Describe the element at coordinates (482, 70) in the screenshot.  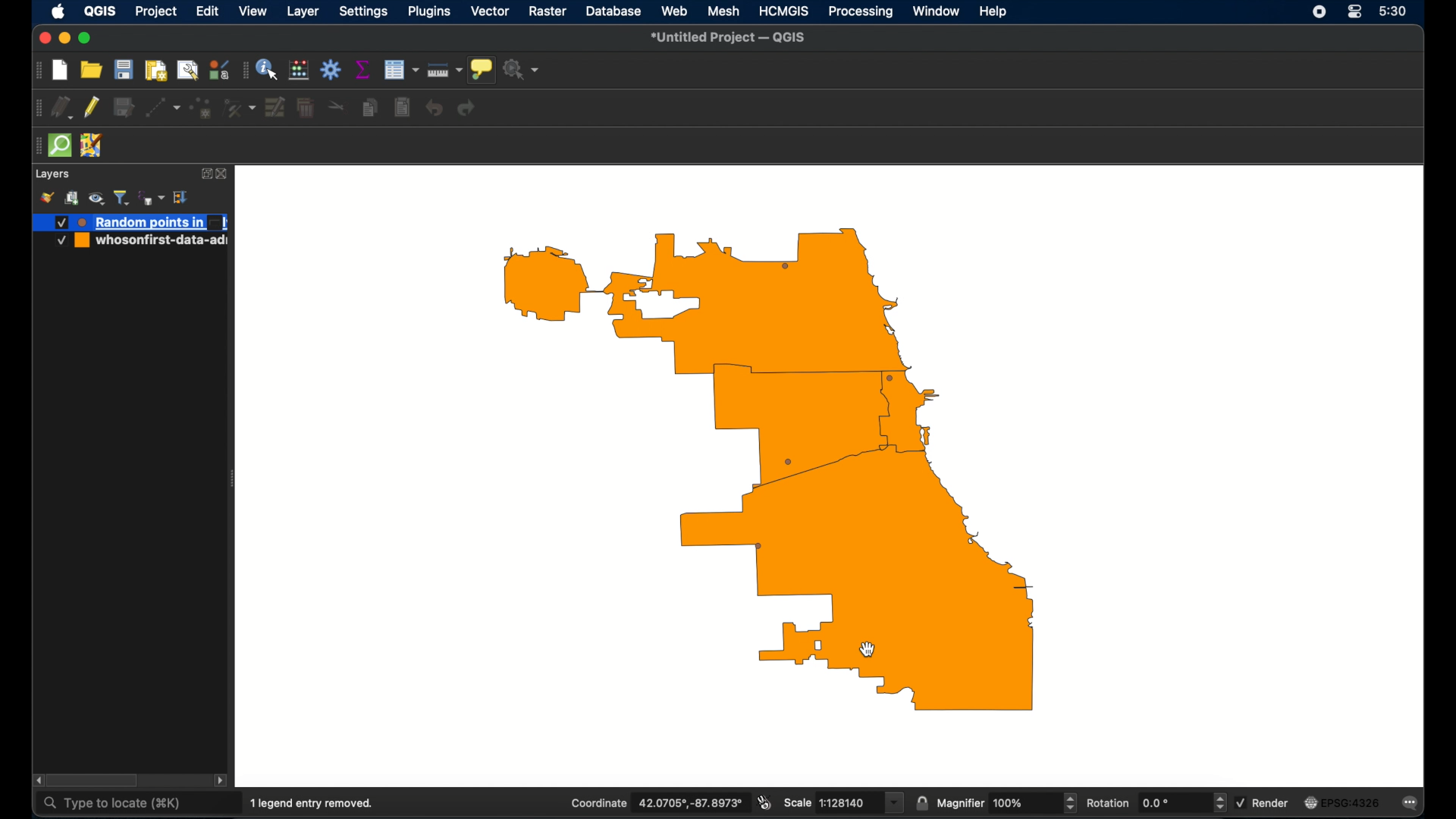
I see `show map  tips` at that location.